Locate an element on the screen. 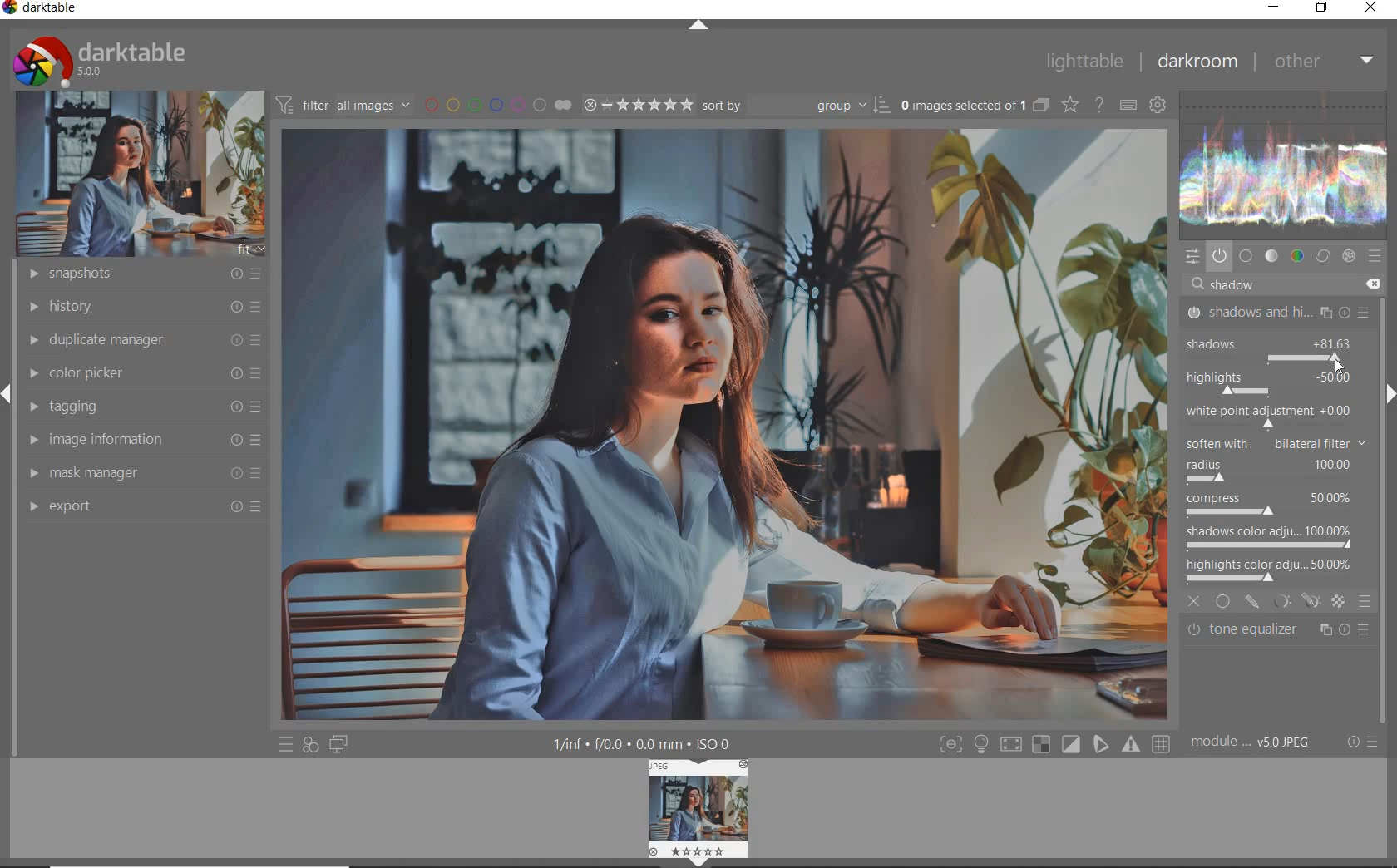 Image resolution: width=1397 pixels, height=868 pixels. image information is located at coordinates (143, 440).